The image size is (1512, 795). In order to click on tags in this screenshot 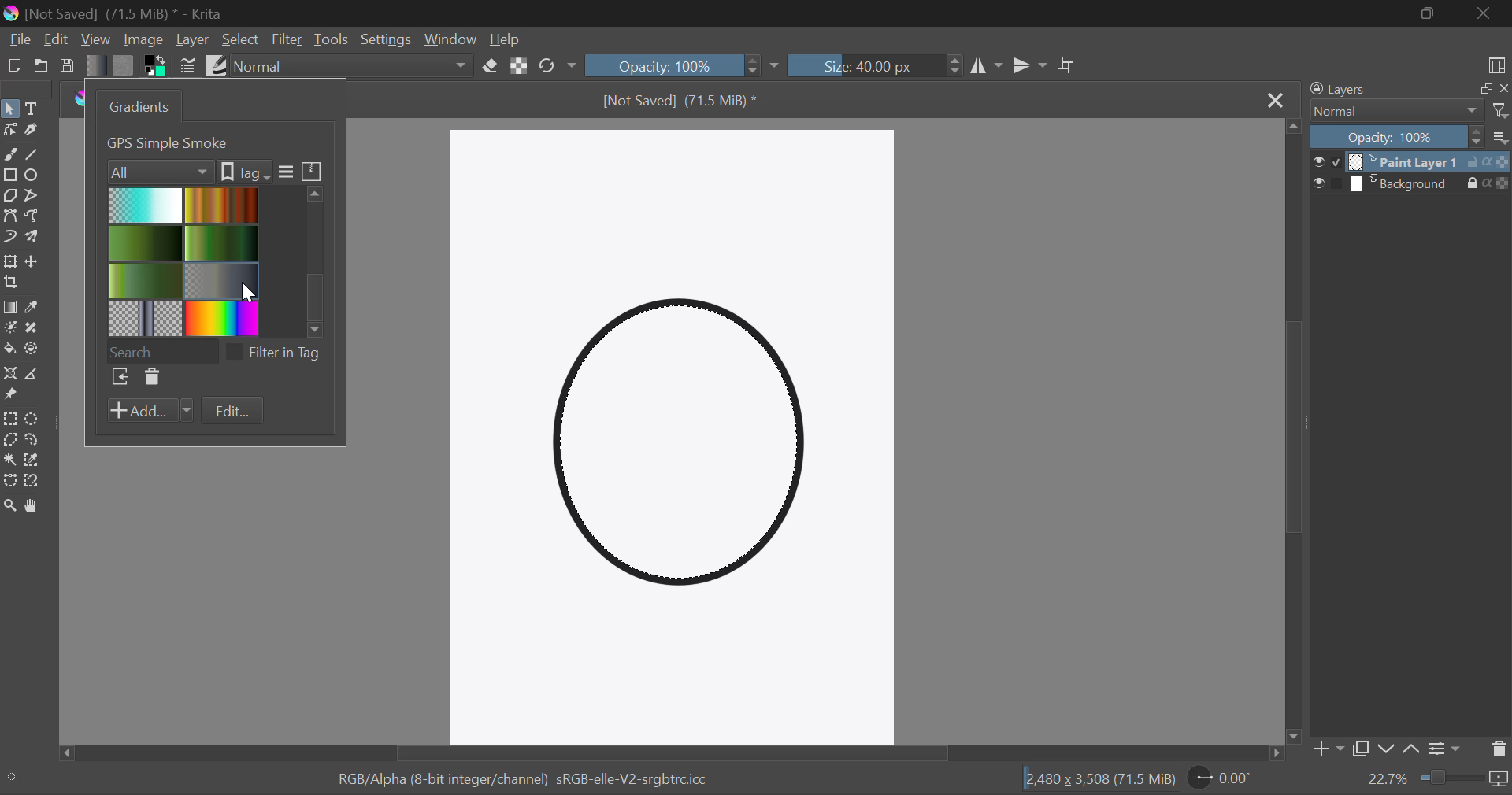, I will do `click(246, 172)`.